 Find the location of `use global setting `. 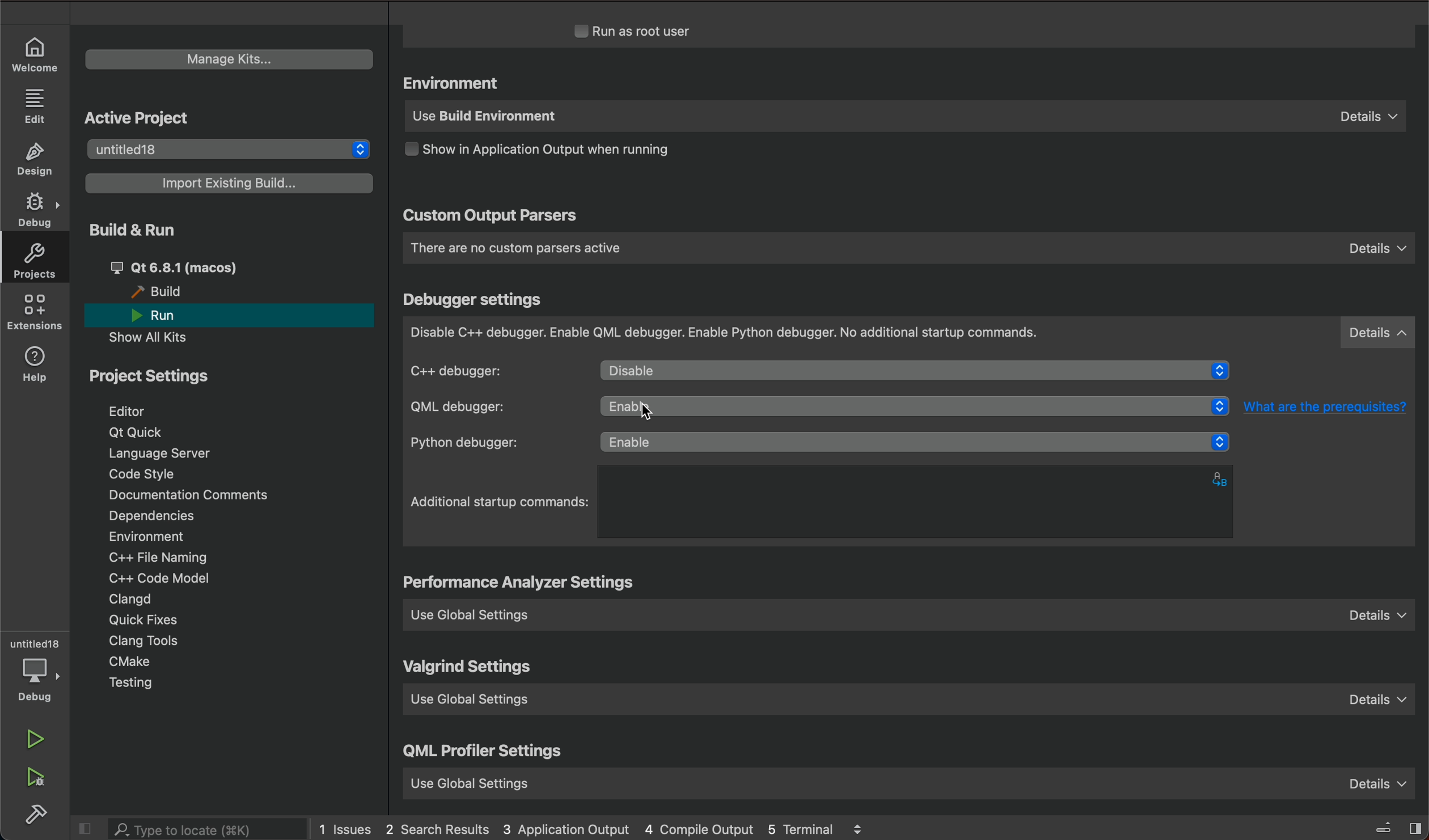

use global setting  is located at coordinates (913, 703).